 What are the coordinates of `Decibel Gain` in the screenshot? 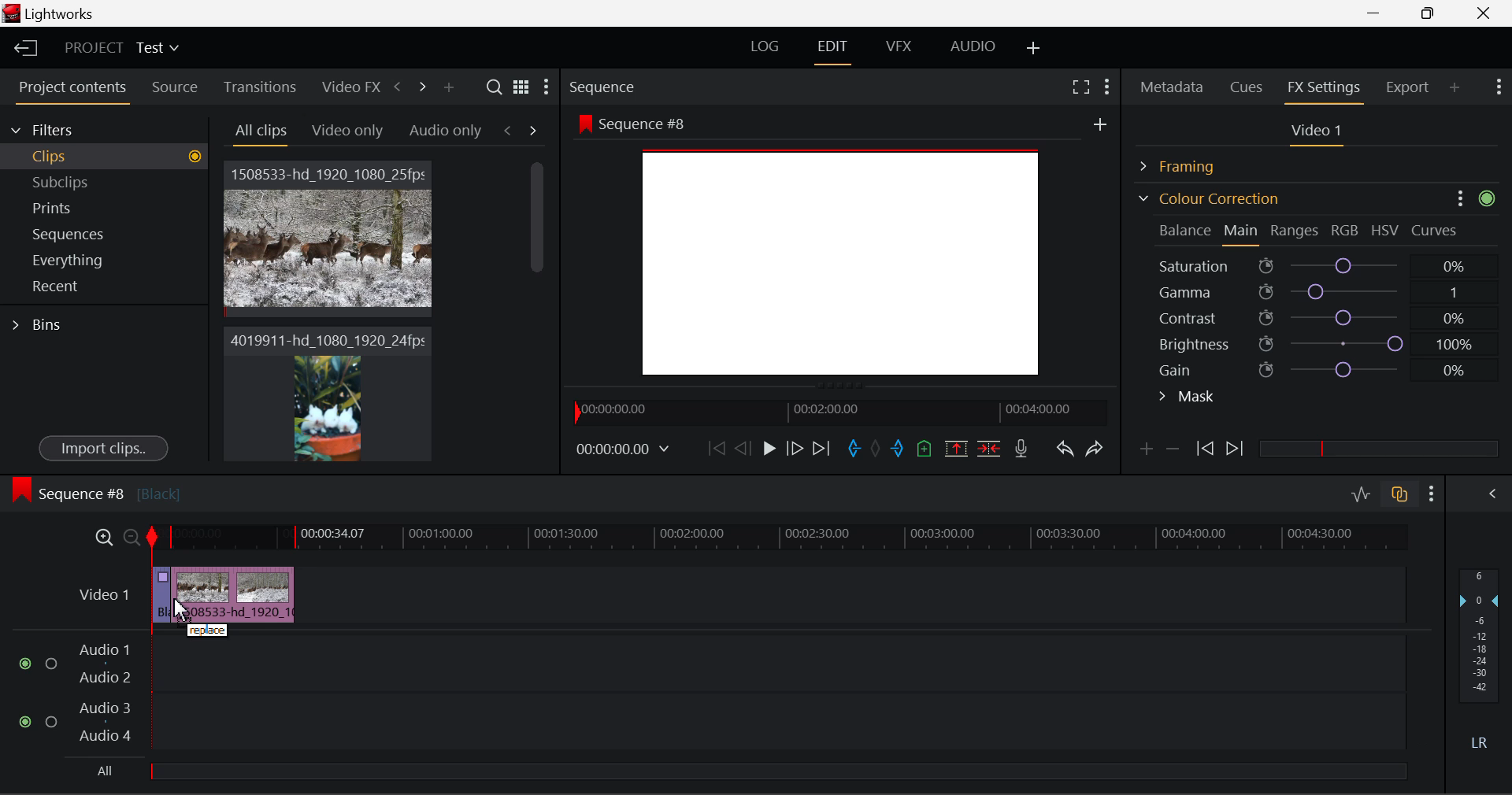 It's located at (1478, 663).